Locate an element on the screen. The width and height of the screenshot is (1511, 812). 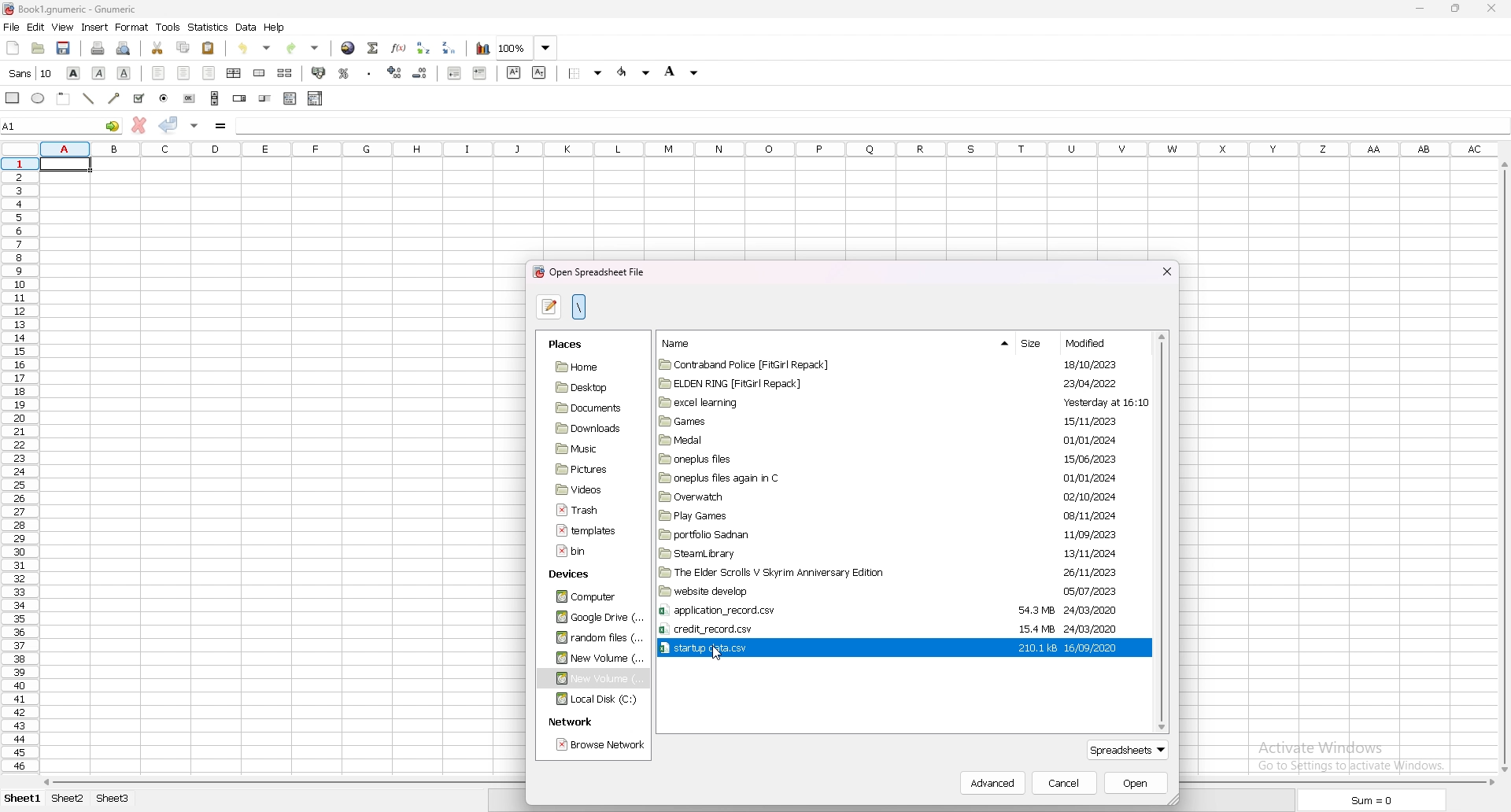
percentage is located at coordinates (344, 72).